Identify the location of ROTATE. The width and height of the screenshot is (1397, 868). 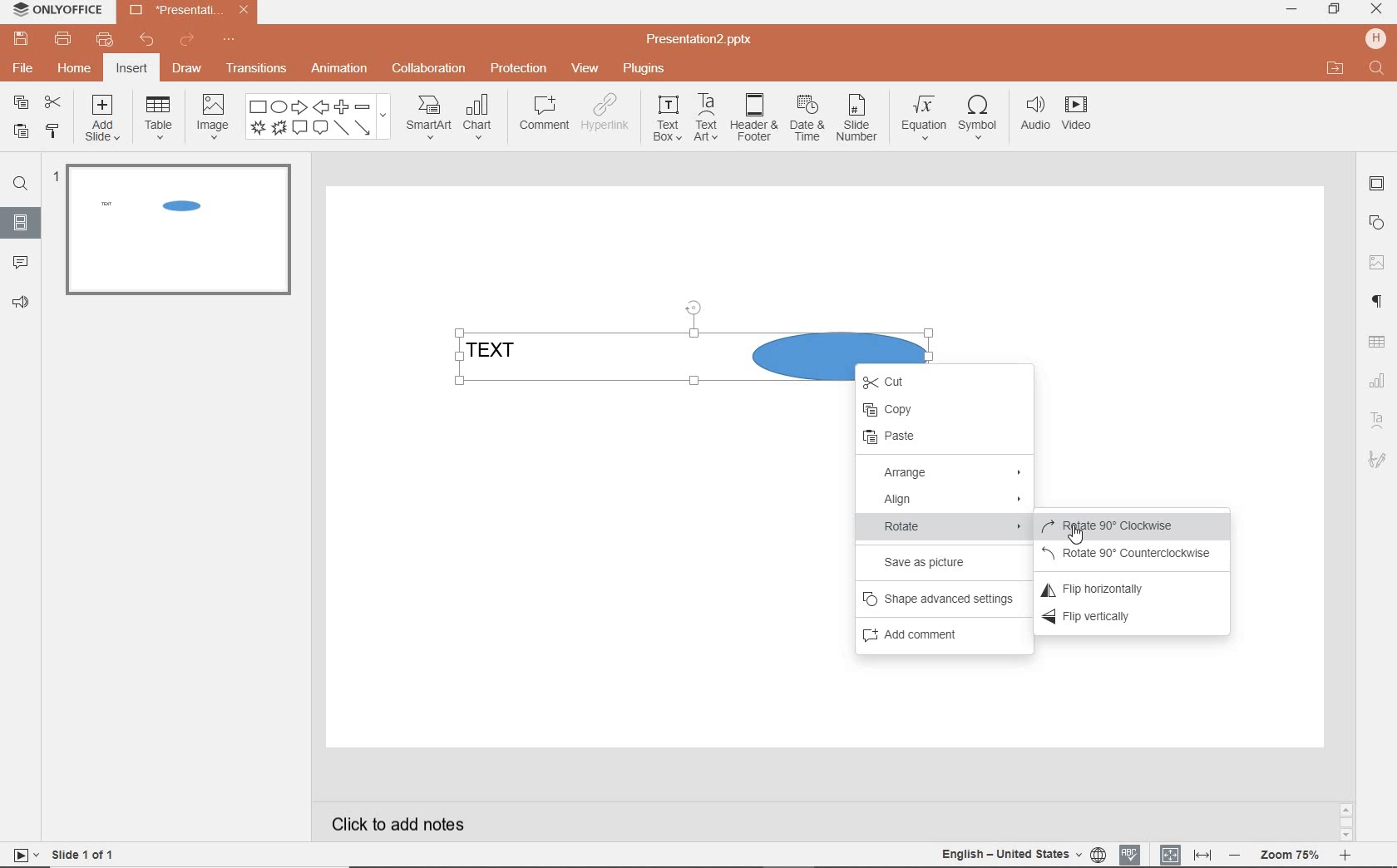
(947, 528).